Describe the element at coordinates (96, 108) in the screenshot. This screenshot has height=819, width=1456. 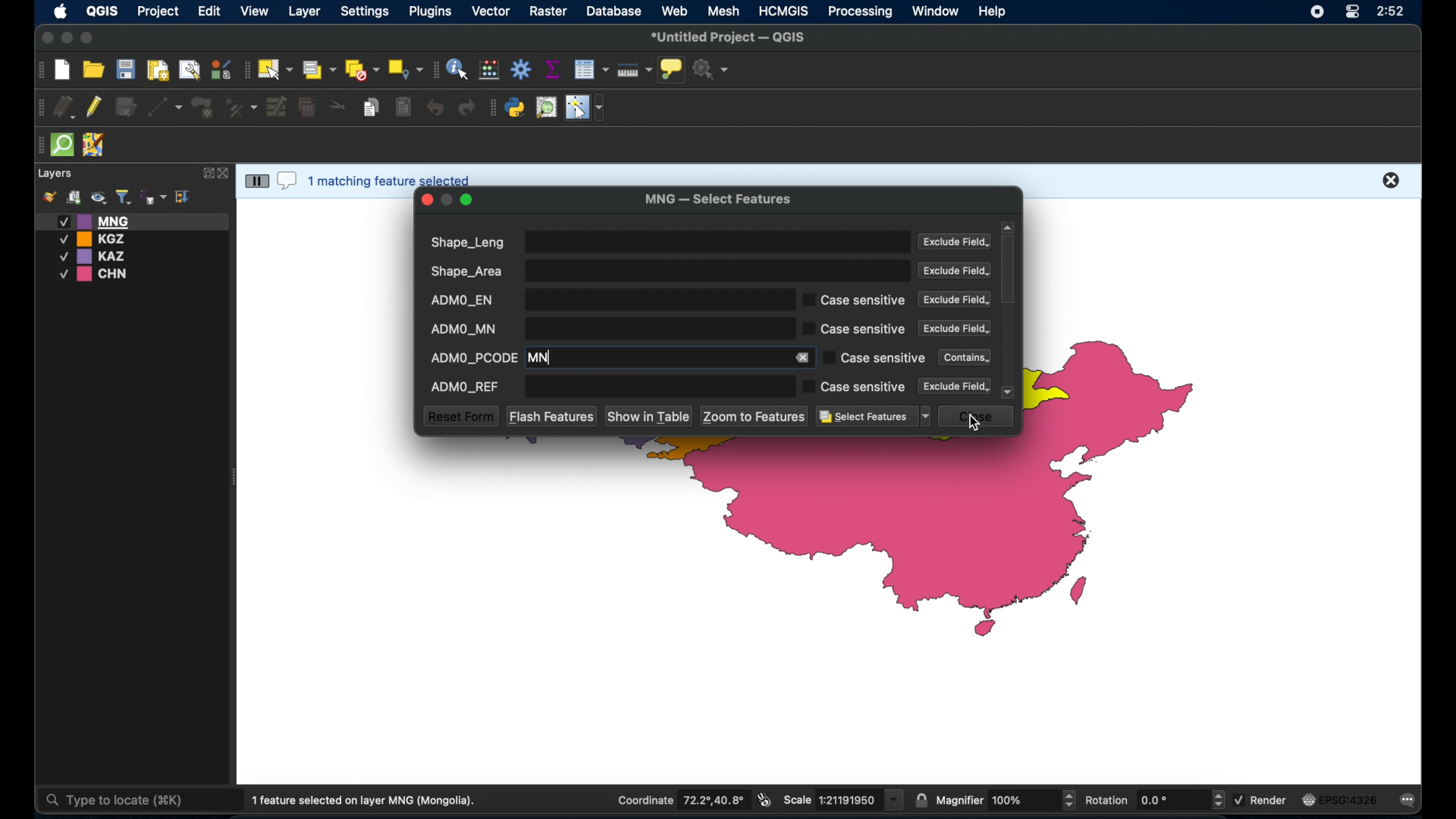
I see `toggle editing` at that location.